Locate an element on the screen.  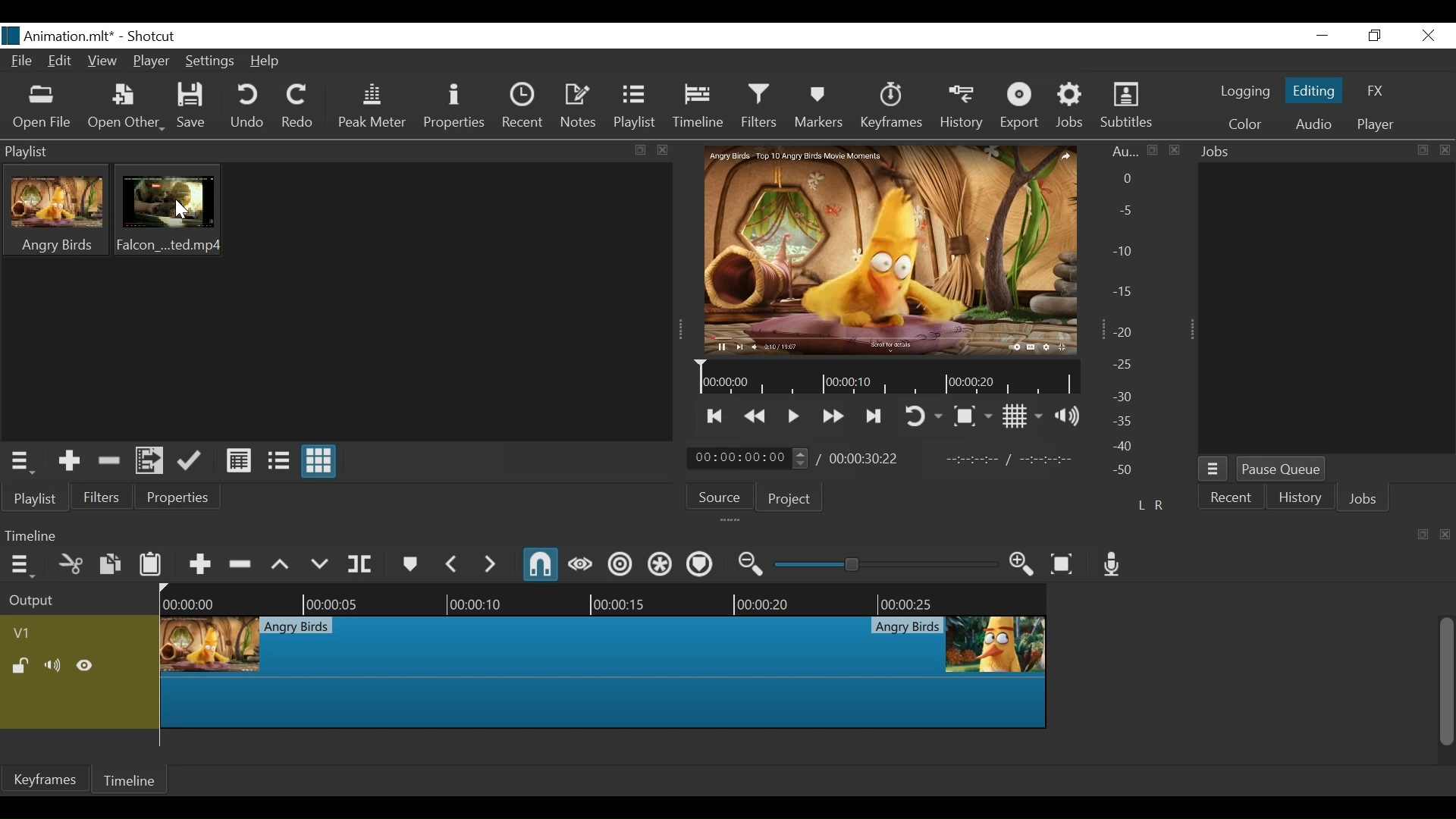
Export is located at coordinates (1020, 108).